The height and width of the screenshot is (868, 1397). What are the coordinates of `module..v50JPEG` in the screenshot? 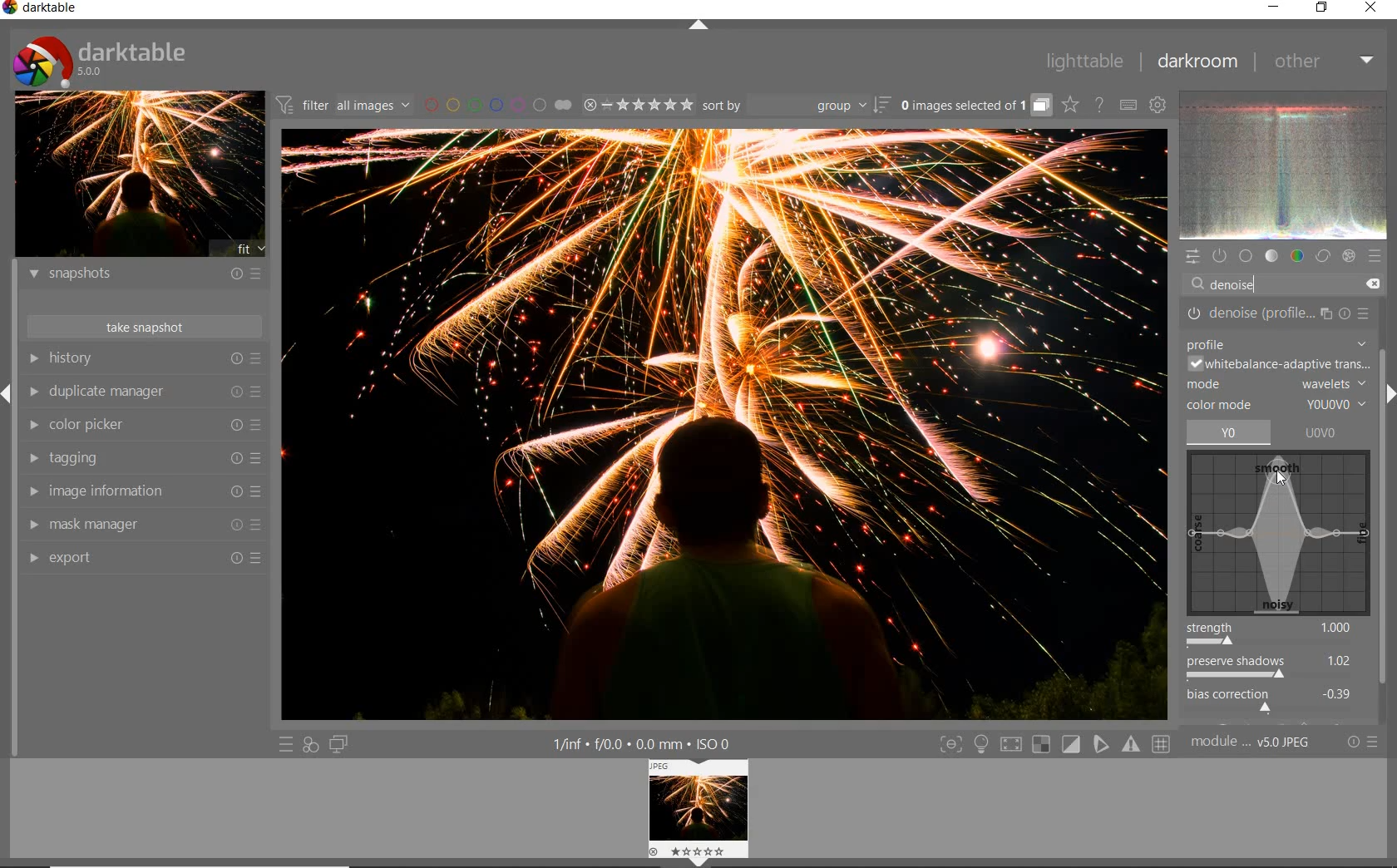 It's located at (1249, 742).